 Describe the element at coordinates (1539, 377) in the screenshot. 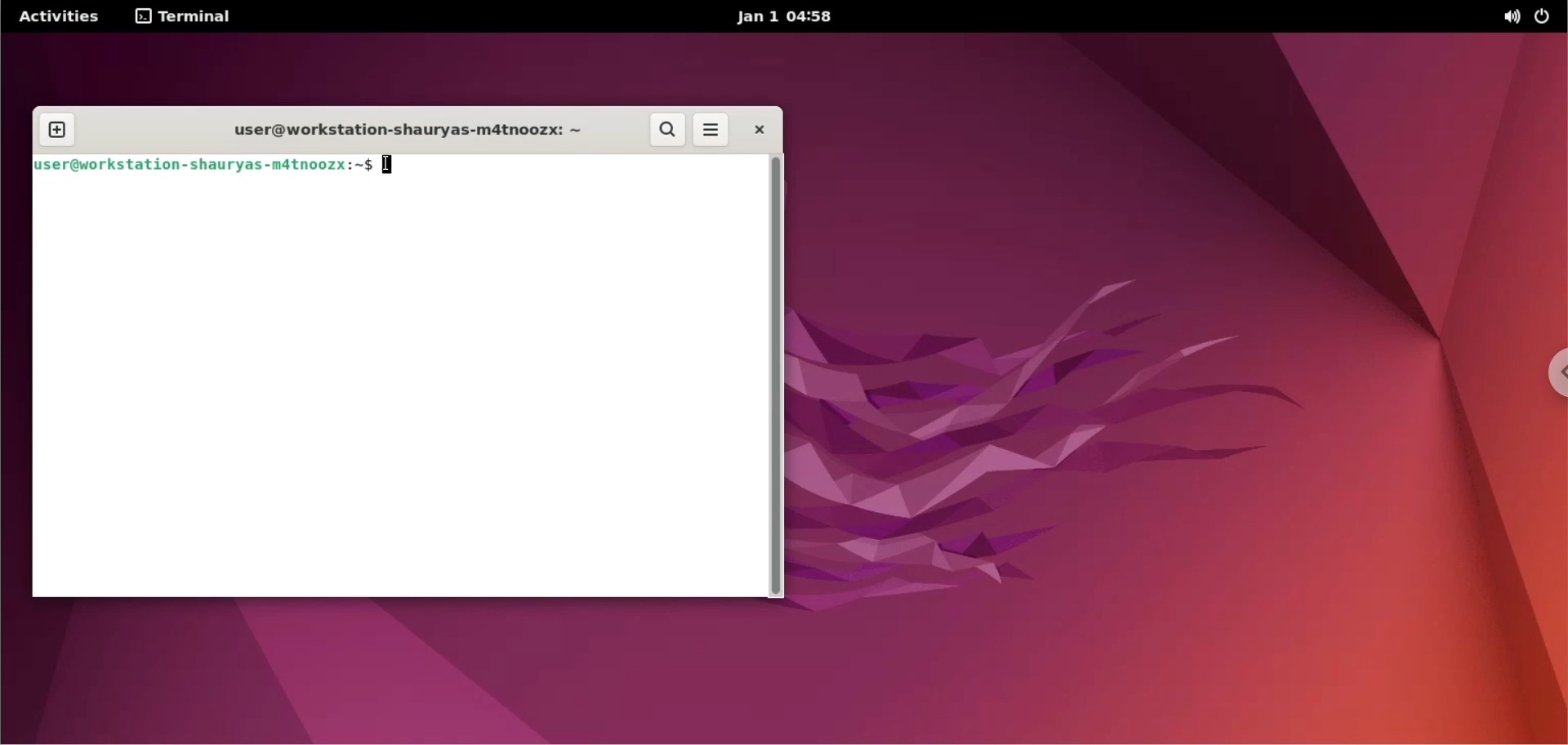

I see `chrome options` at that location.